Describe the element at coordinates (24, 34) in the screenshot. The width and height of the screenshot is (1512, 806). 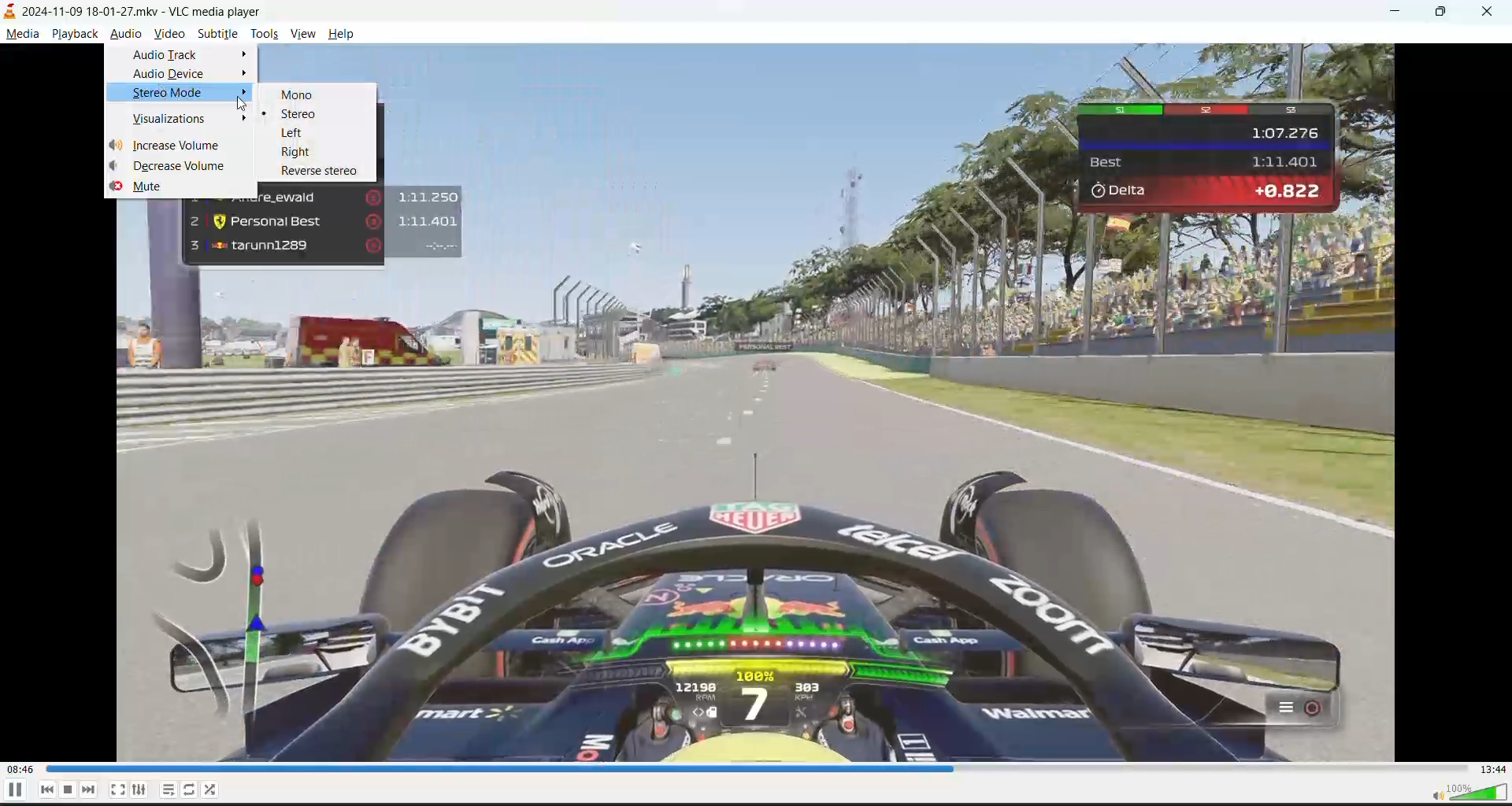
I see `media` at that location.